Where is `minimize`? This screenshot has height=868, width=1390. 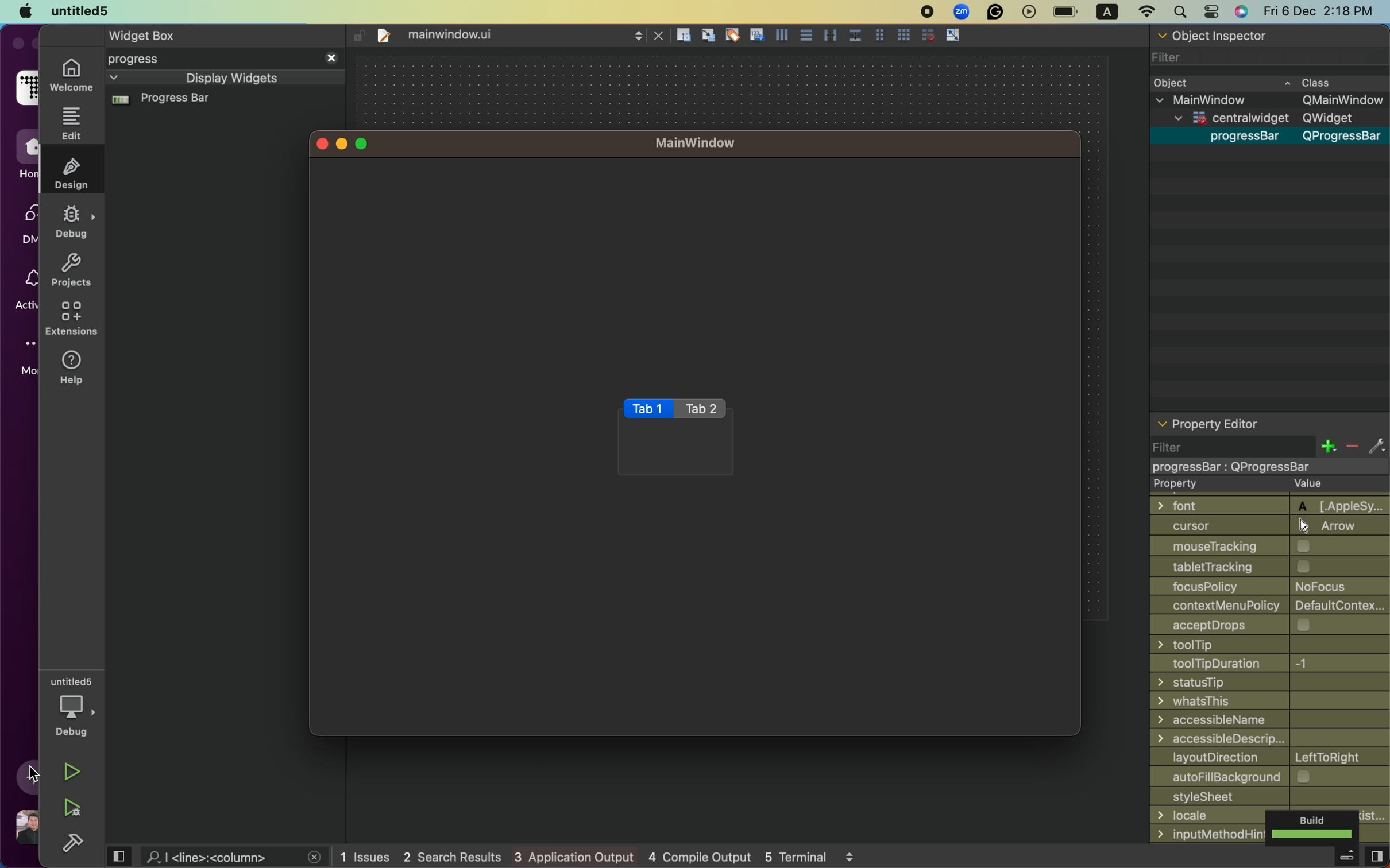
minimize is located at coordinates (341, 145).